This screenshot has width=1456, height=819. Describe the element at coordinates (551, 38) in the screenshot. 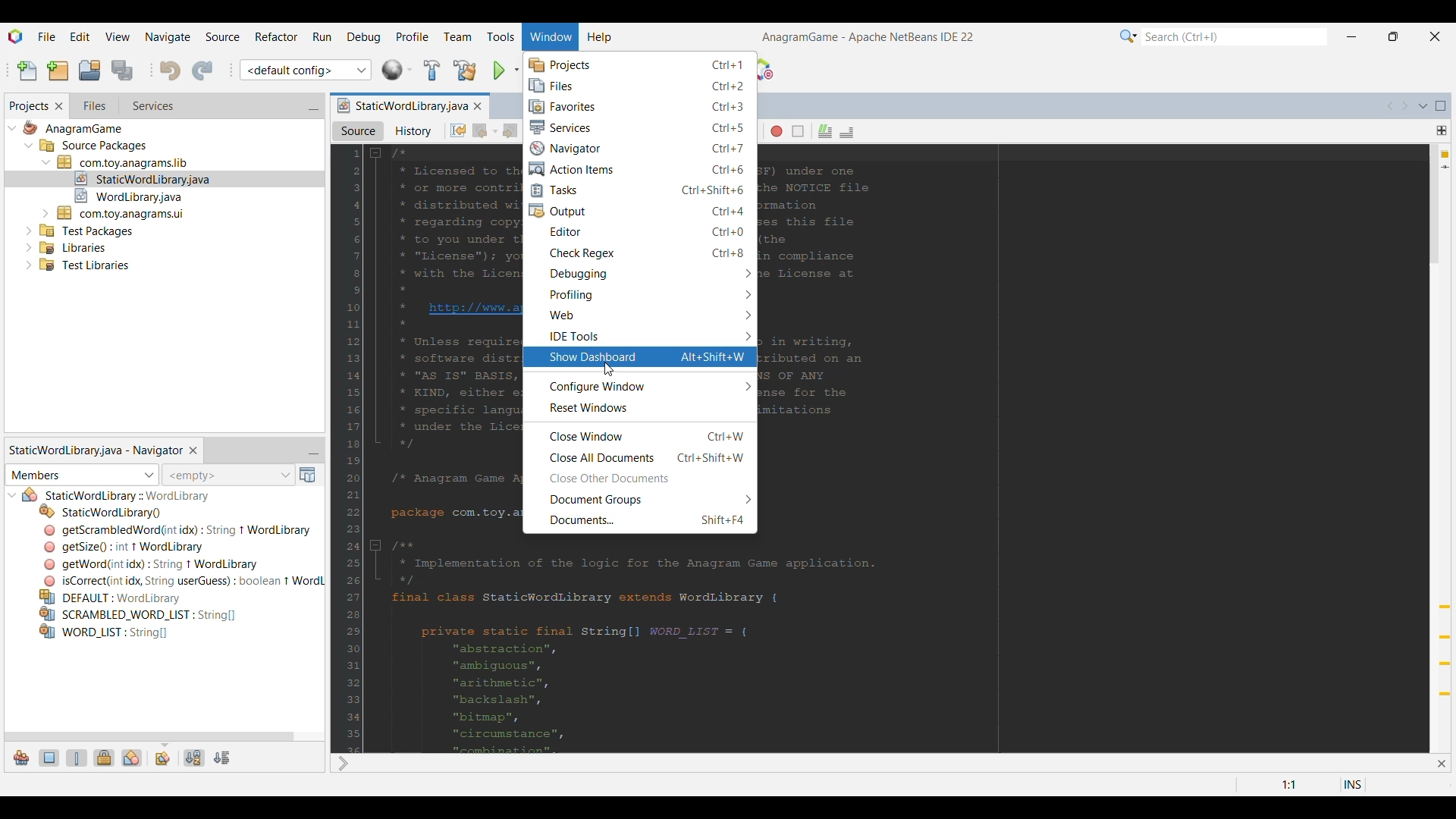

I see `Window menu highlighted` at that location.